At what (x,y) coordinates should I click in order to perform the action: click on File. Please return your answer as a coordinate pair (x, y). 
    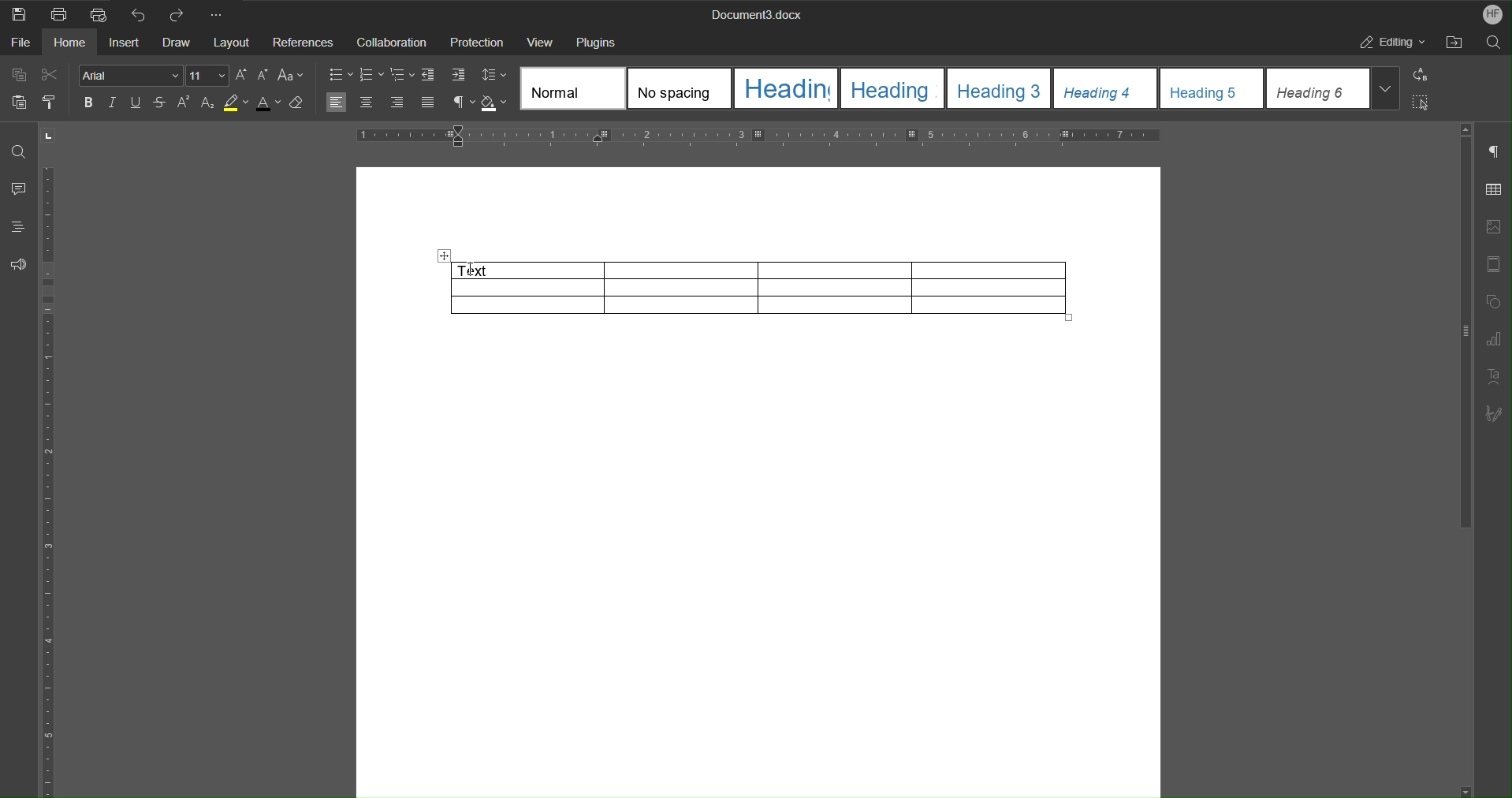
    Looking at the image, I should click on (20, 43).